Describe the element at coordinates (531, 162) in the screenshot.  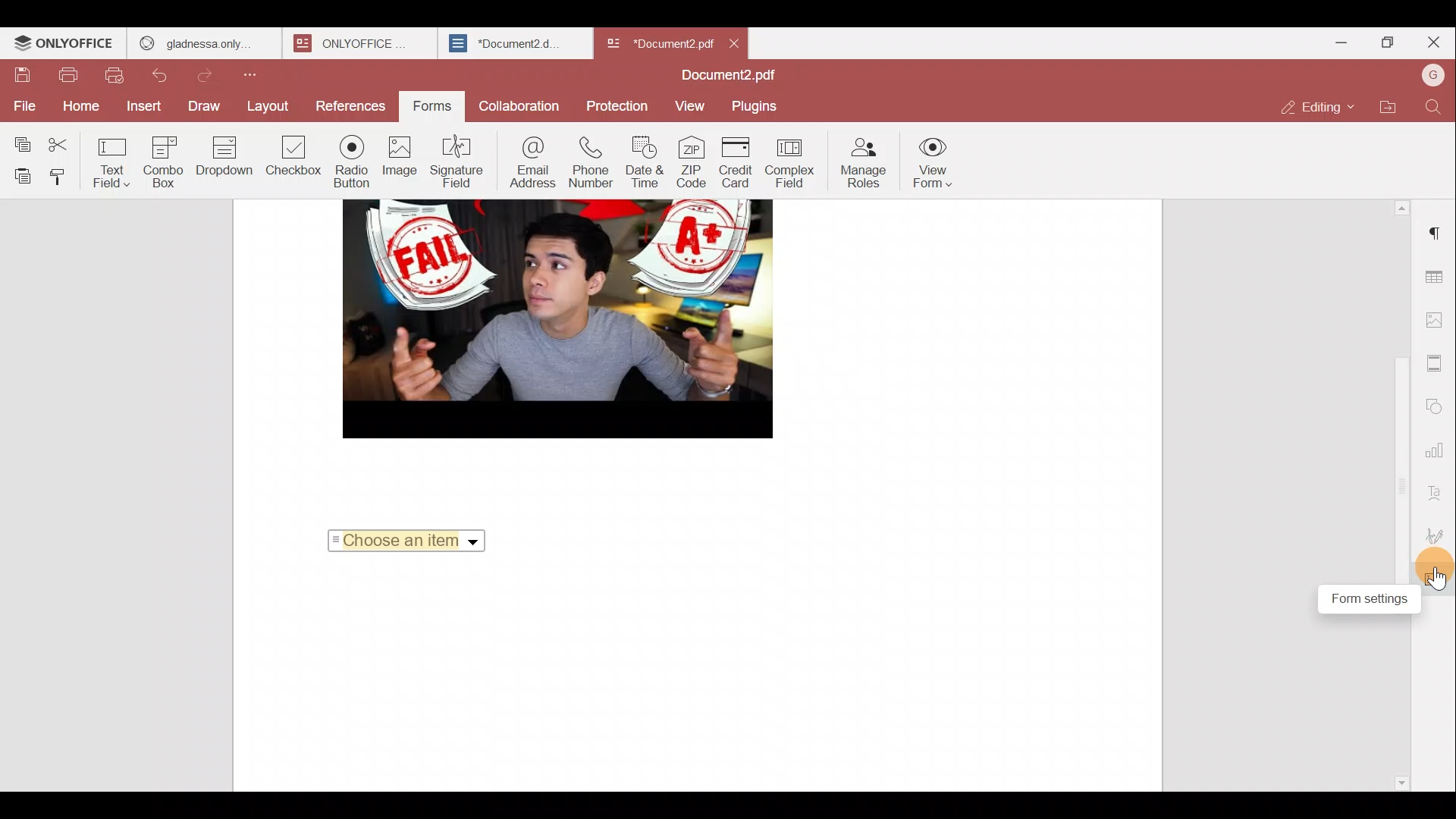
I see `Email address` at that location.